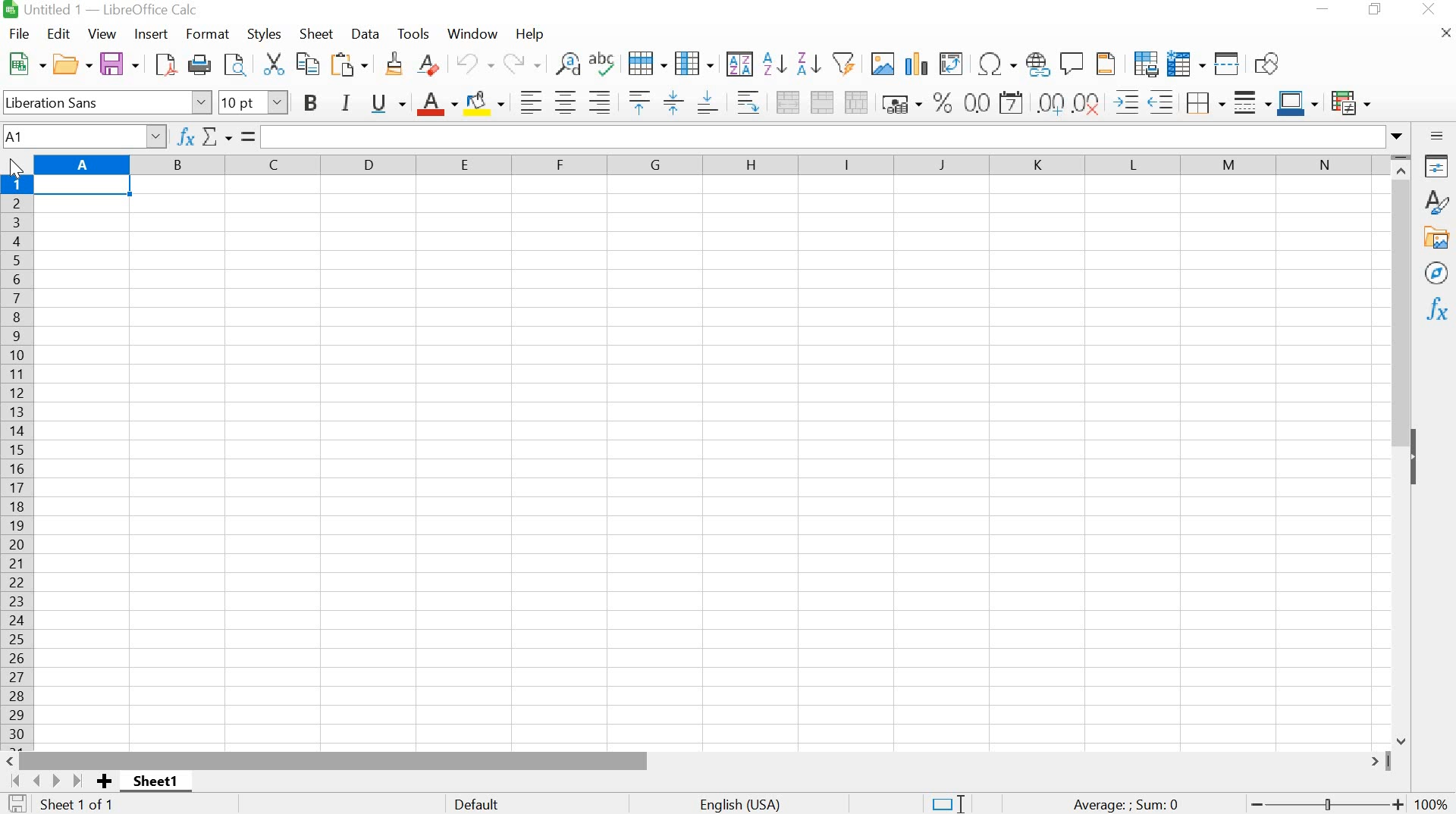 Image resolution: width=1456 pixels, height=814 pixels. I want to click on Show Draw Function, so click(1266, 64).